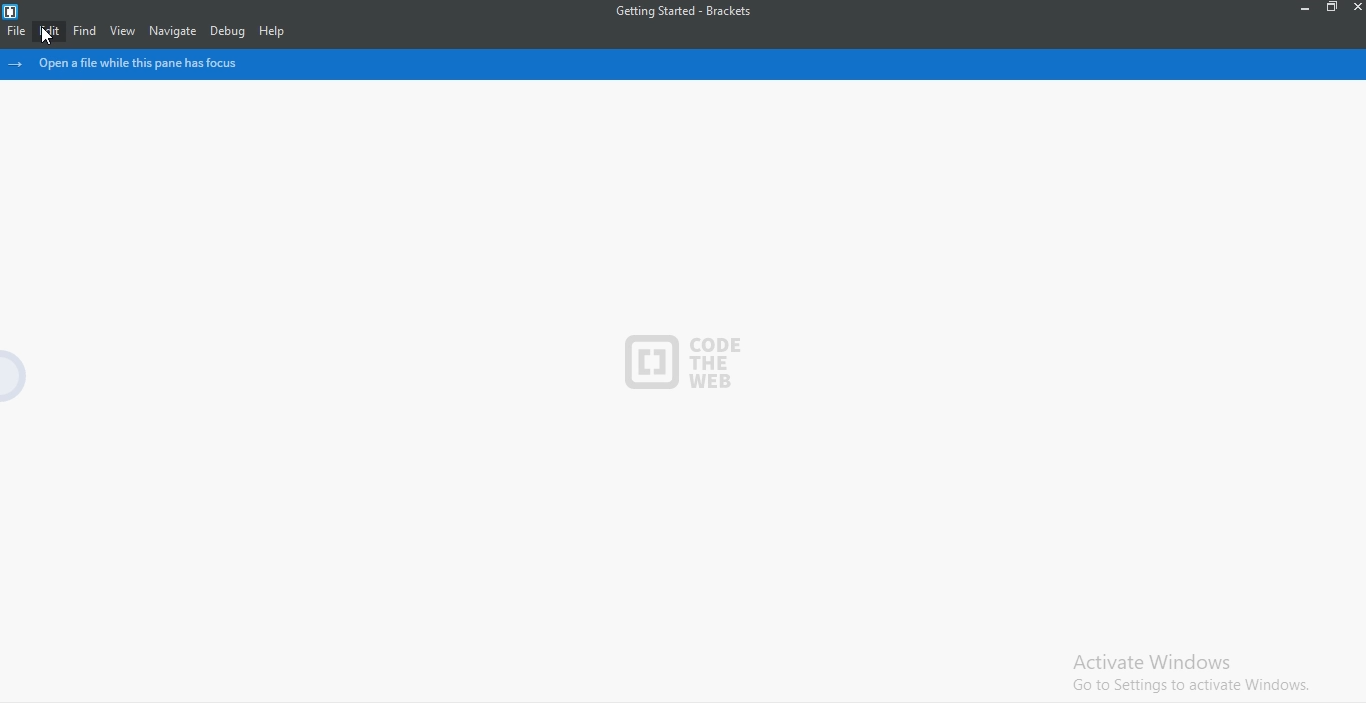 The height and width of the screenshot is (724, 1366). What do you see at coordinates (682, 361) in the screenshot?
I see `code the web logo` at bounding box center [682, 361].